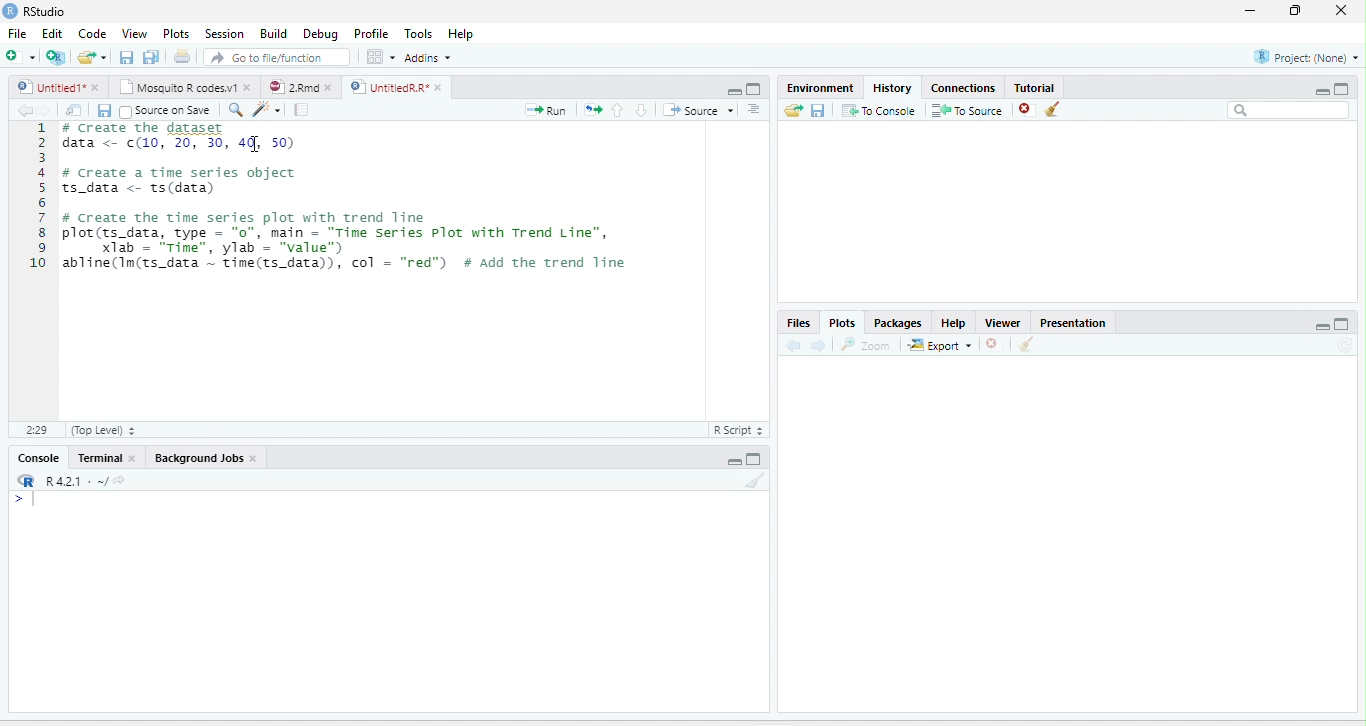 This screenshot has height=726, width=1366. What do you see at coordinates (25, 500) in the screenshot?
I see `New line` at bounding box center [25, 500].